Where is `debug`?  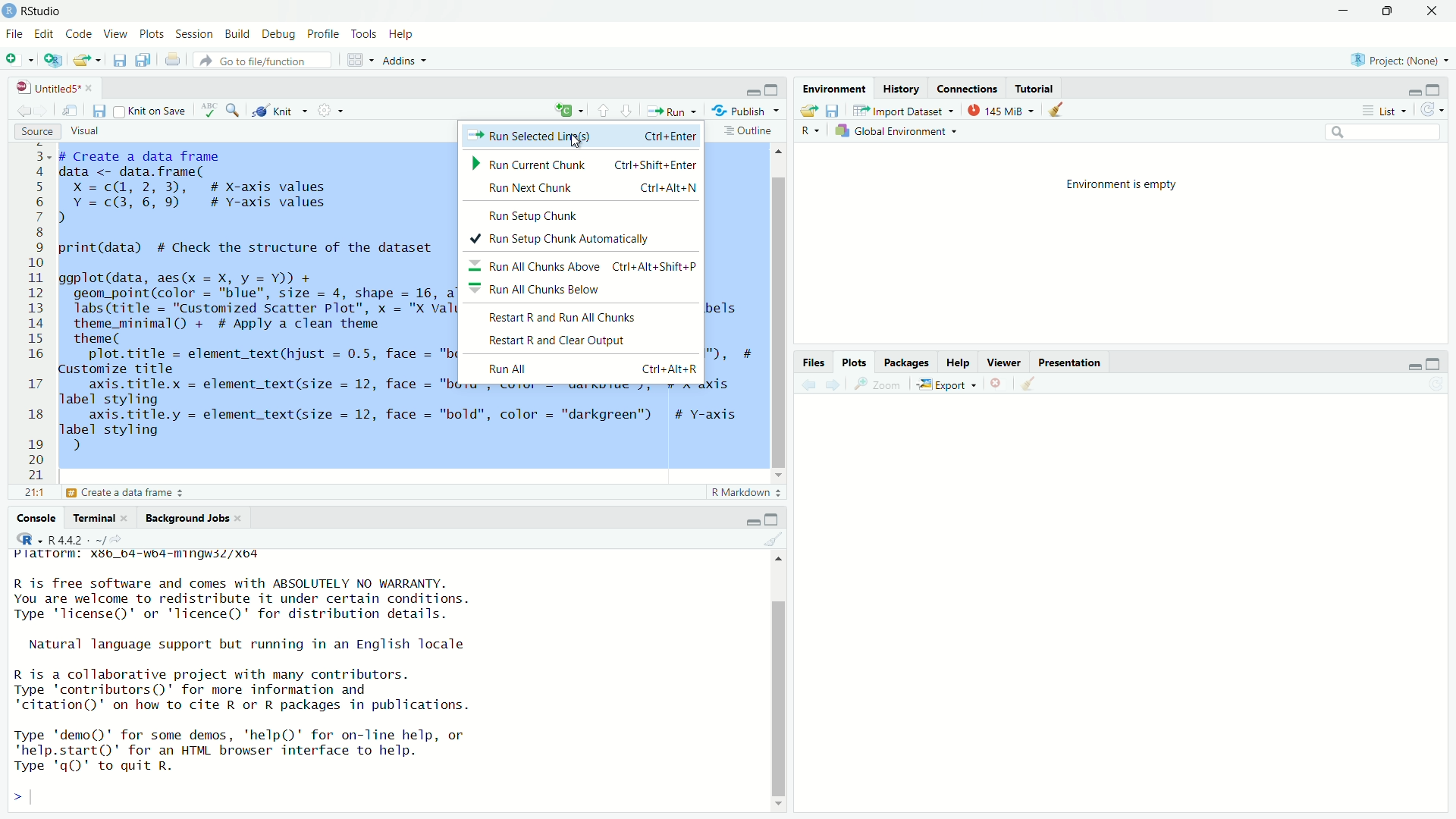 debug is located at coordinates (237, 33).